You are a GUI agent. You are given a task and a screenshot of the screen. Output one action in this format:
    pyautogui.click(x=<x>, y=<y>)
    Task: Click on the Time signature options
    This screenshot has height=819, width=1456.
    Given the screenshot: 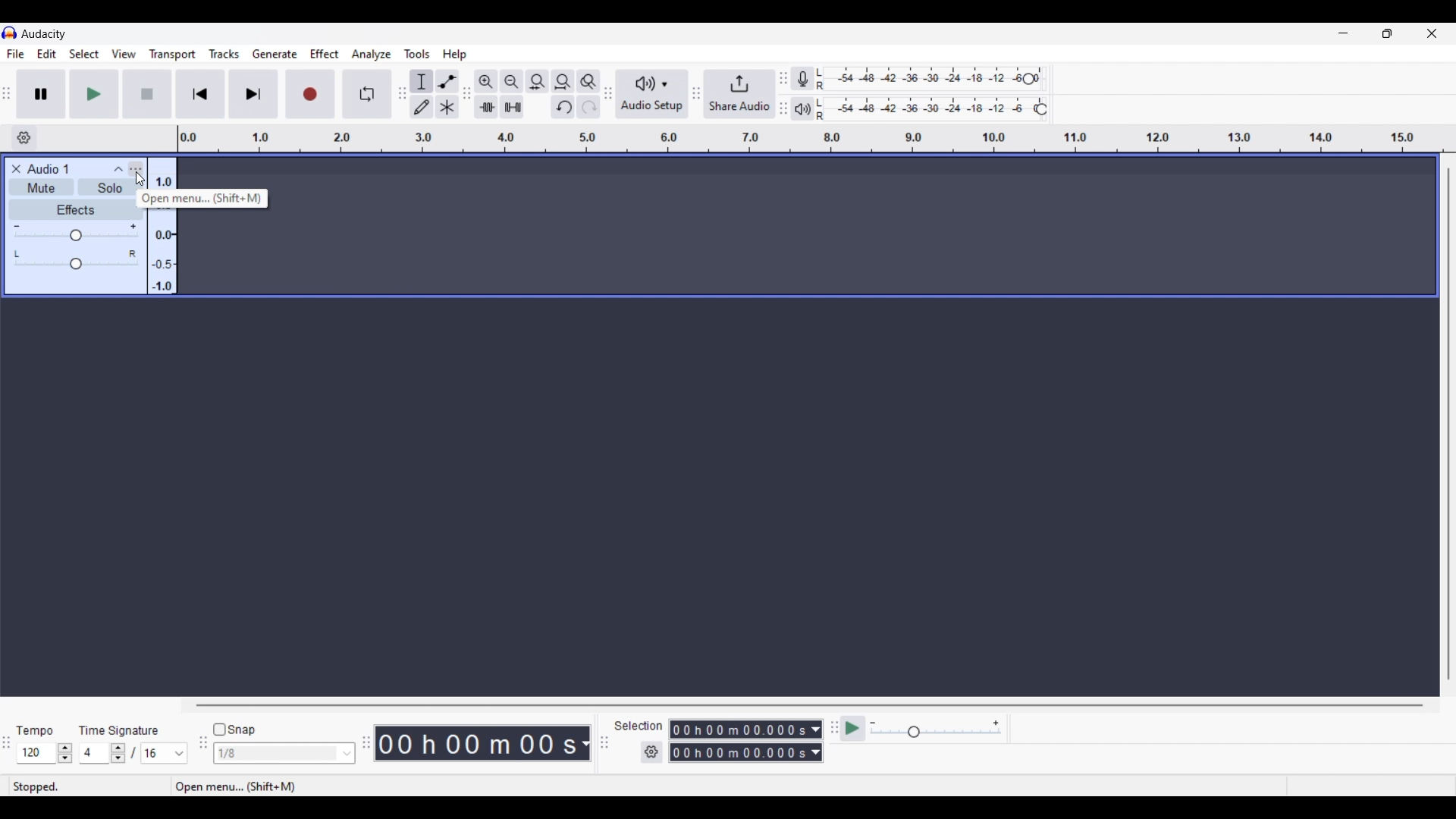 What is the action you would take?
    pyautogui.click(x=180, y=754)
    